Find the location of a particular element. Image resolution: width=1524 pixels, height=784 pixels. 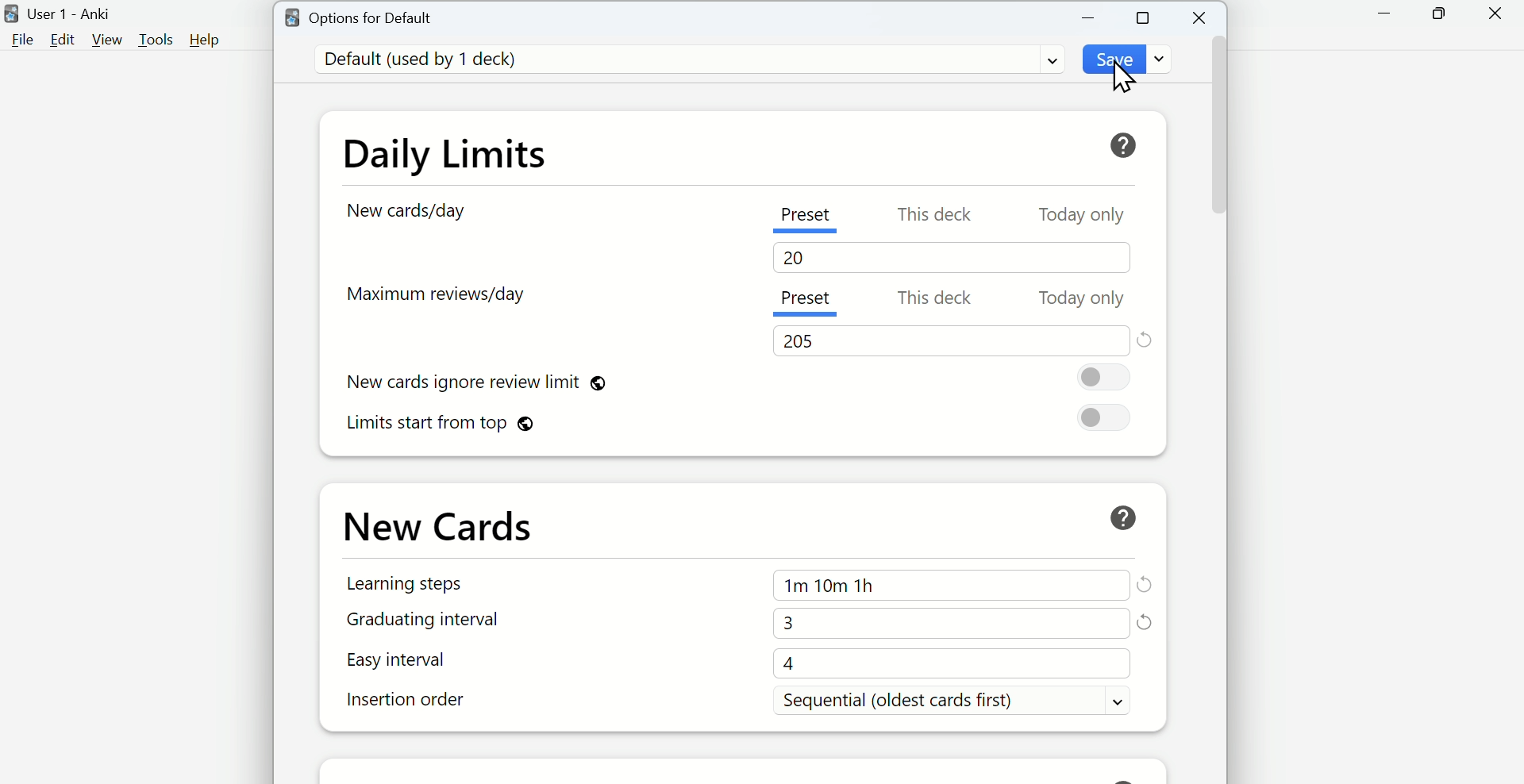

Preset is located at coordinates (814, 218).